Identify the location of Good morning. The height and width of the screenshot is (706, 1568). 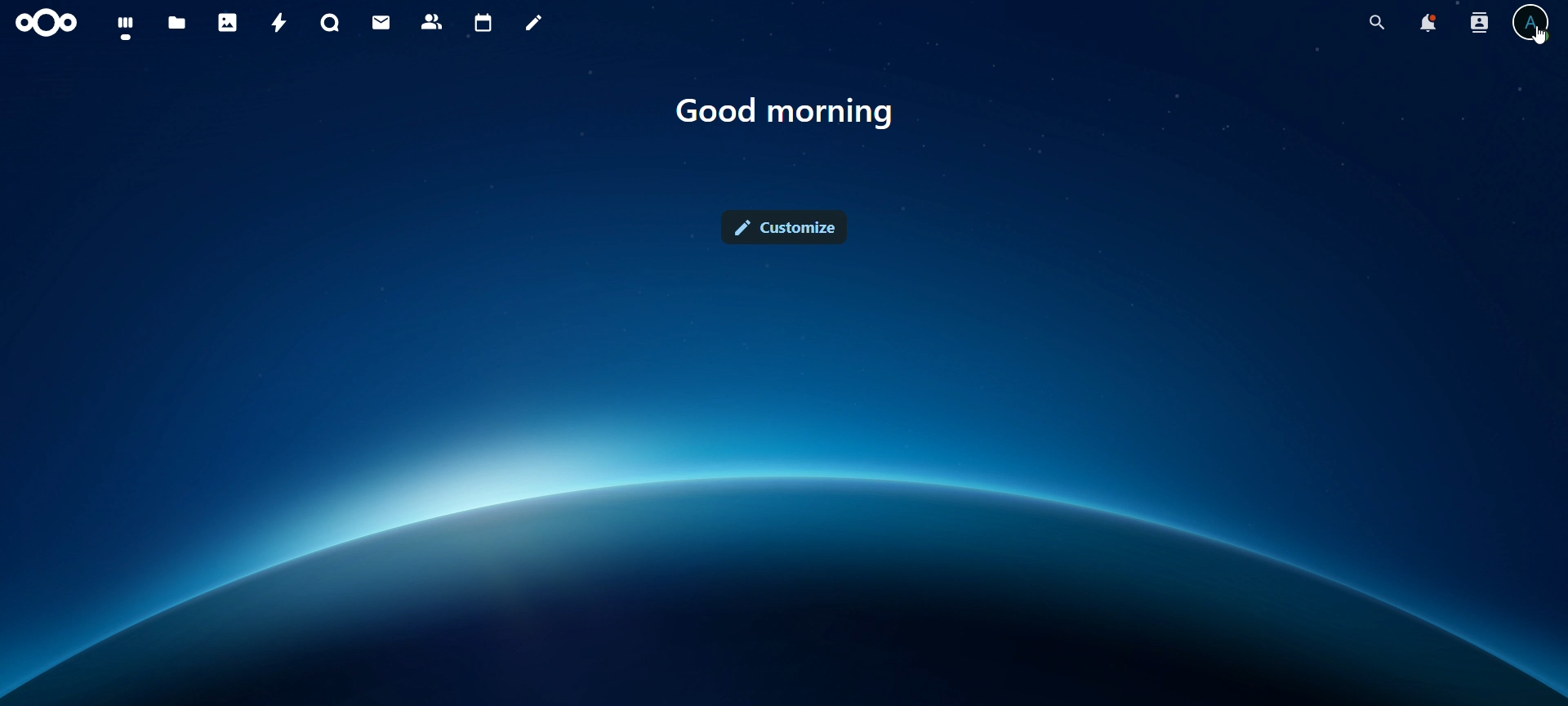
(791, 111).